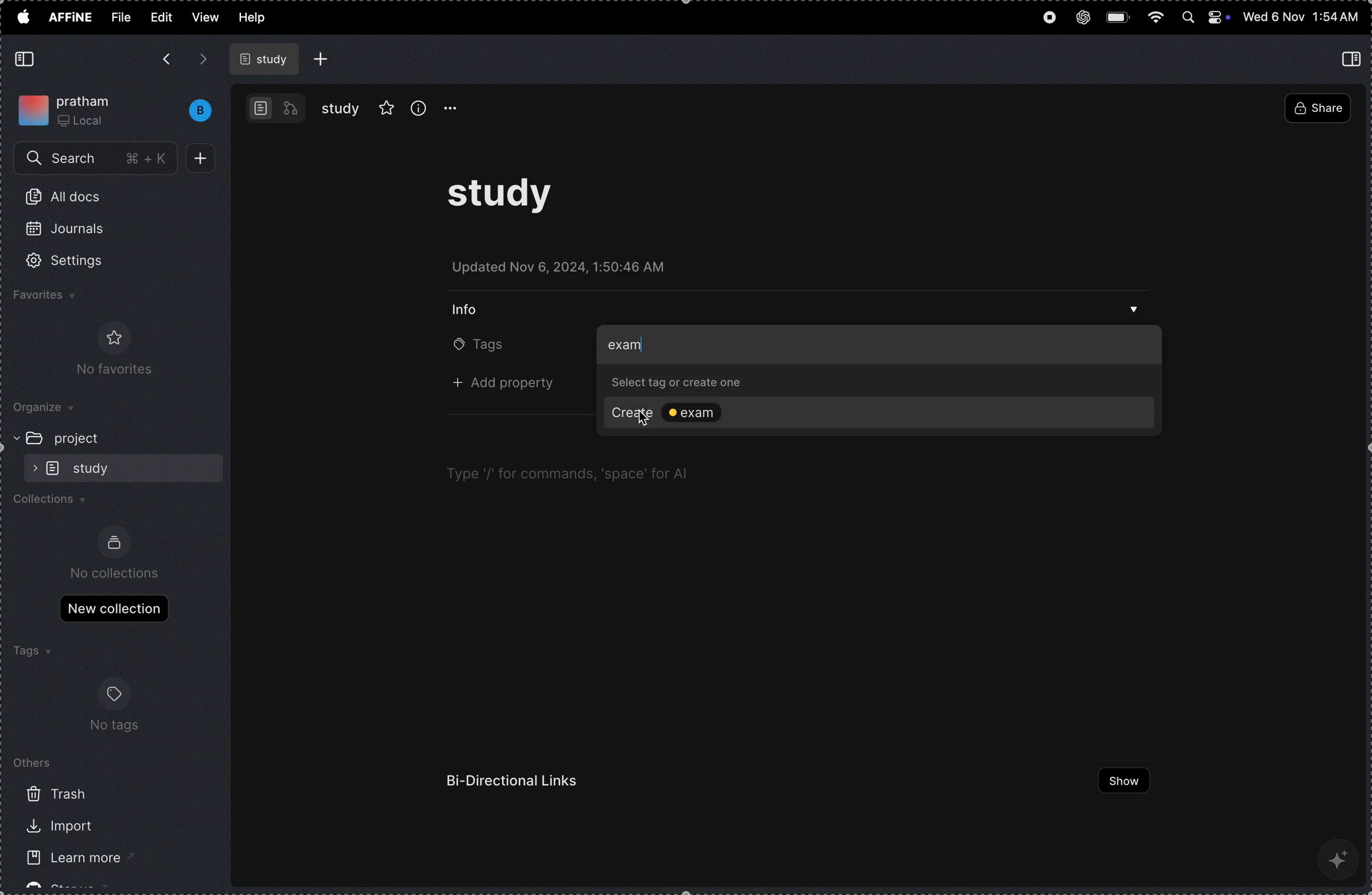 This screenshot has height=895, width=1372. I want to click on affine, so click(71, 18).